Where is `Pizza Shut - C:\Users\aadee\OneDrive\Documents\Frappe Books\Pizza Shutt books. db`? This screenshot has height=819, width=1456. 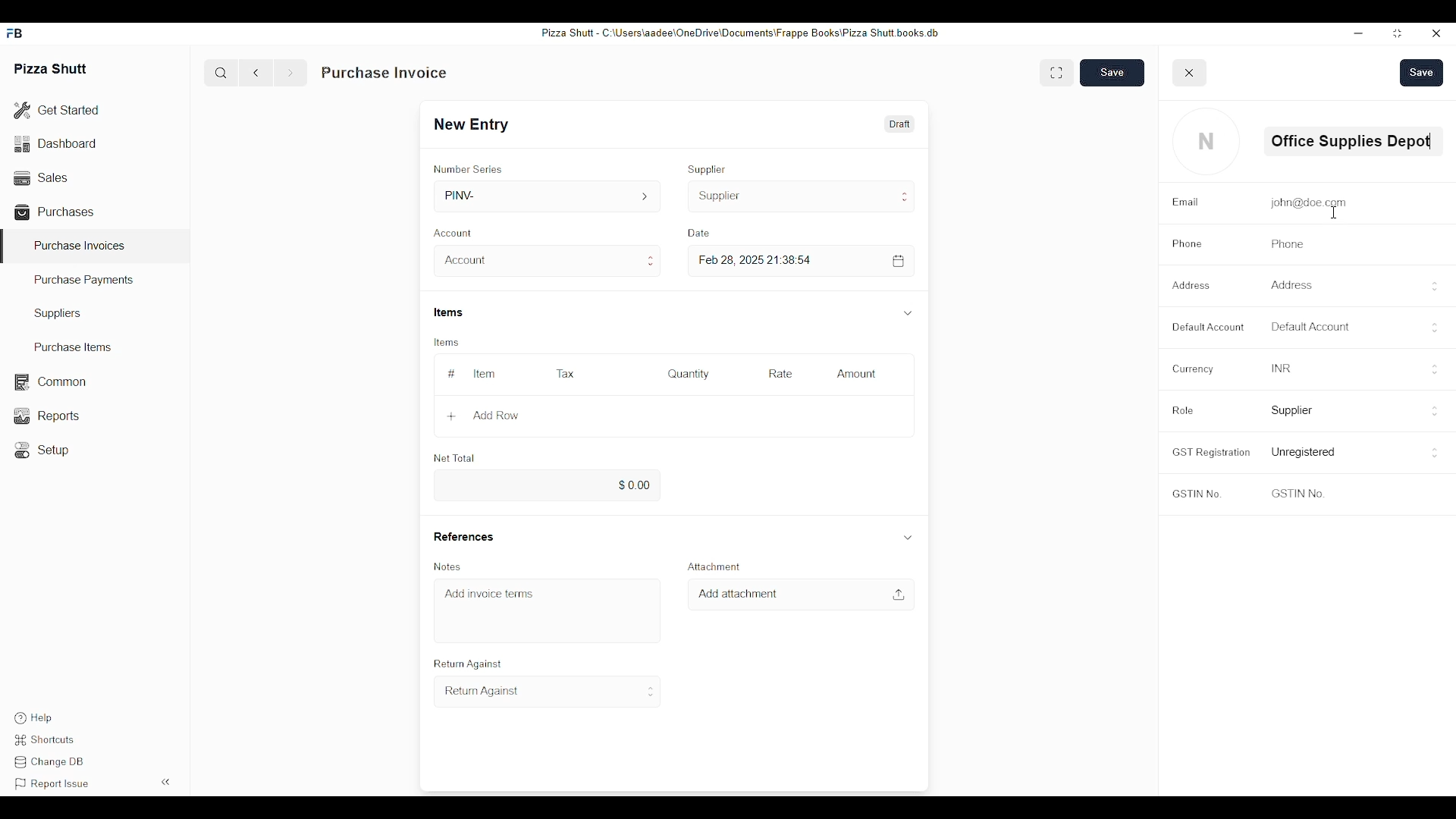
Pizza Shut - C:\Users\aadee\OneDrive\Documents\Frappe Books\Pizza Shutt books. db is located at coordinates (739, 32).